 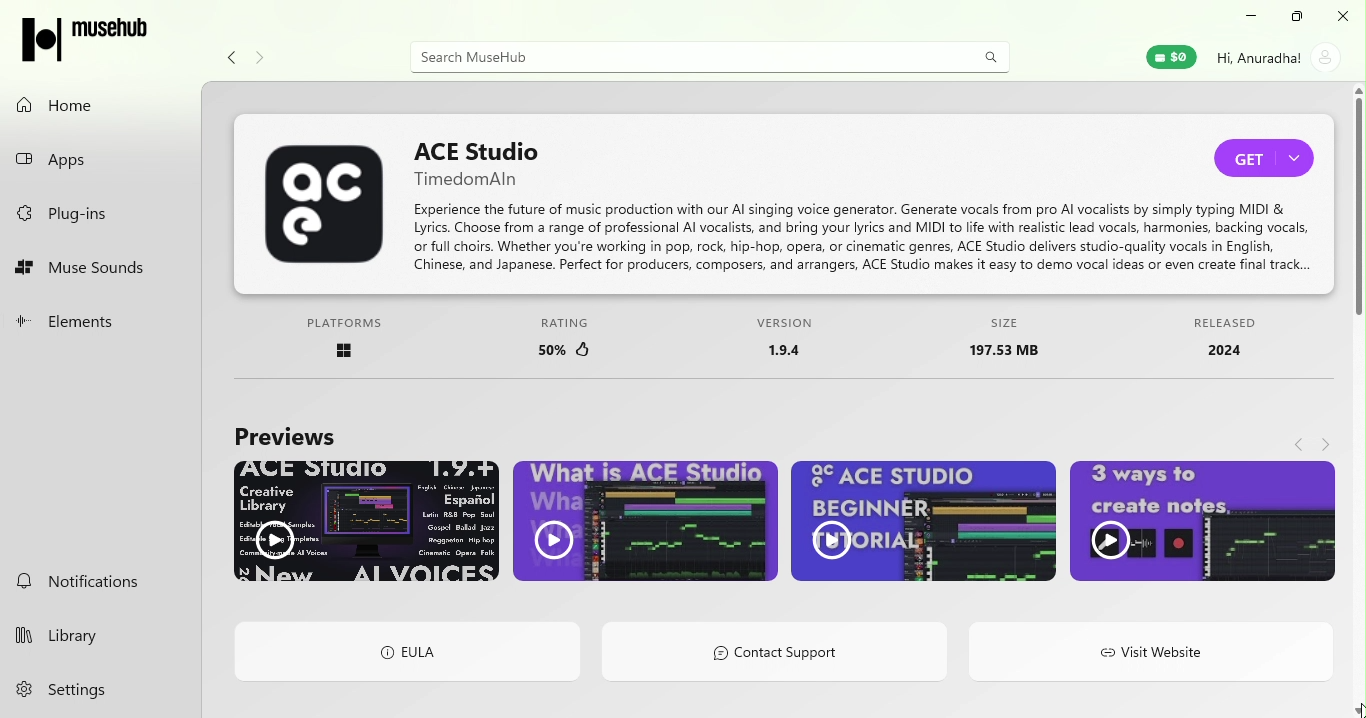 I want to click on account, so click(x=1281, y=63).